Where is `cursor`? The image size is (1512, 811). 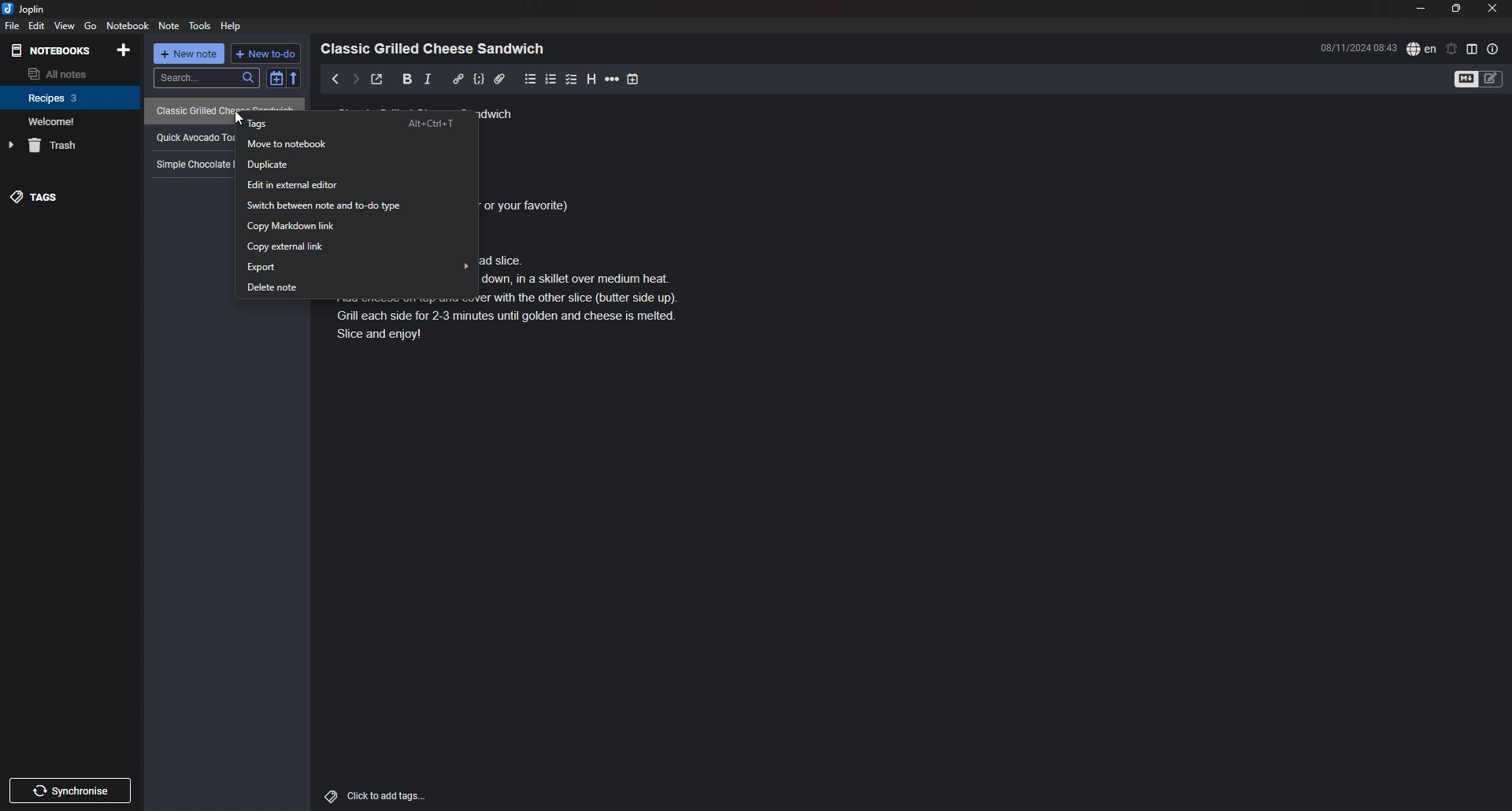 cursor is located at coordinates (239, 118).